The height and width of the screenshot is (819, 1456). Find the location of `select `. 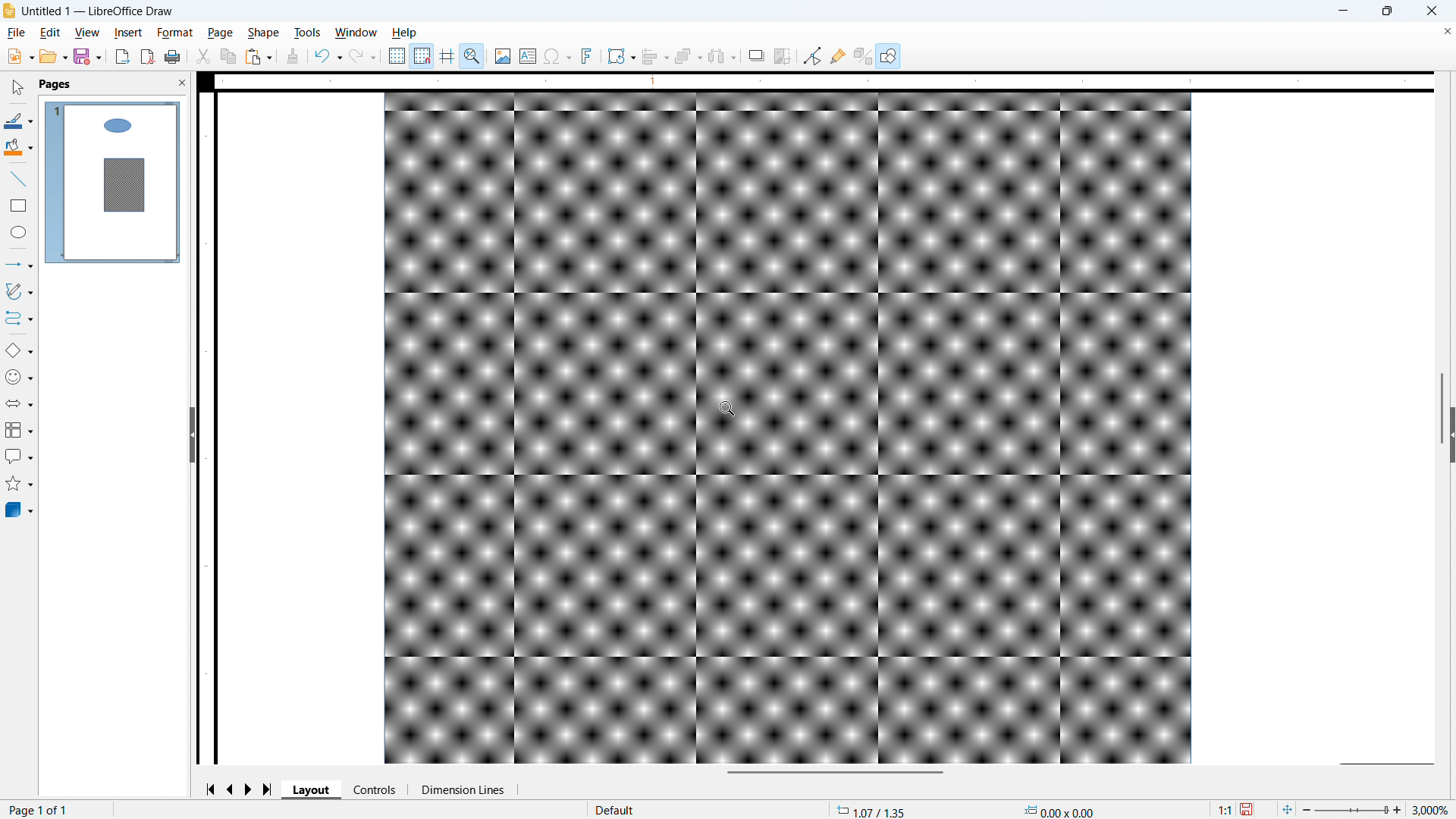

select  is located at coordinates (19, 88).